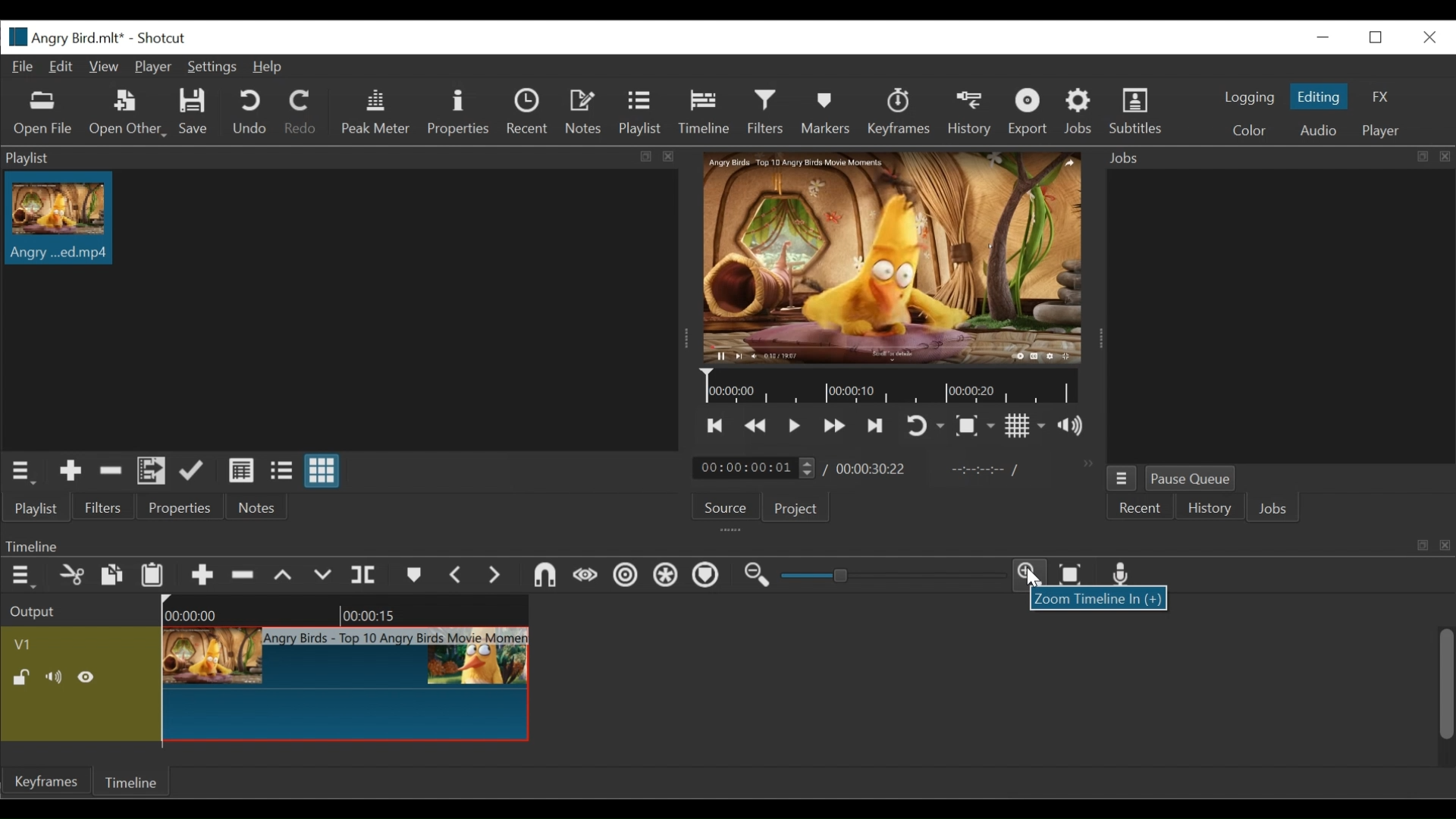 Image resolution: width=1456 pixels, height=819 pixels. I want to click on Jobs, so click(1273, 507).